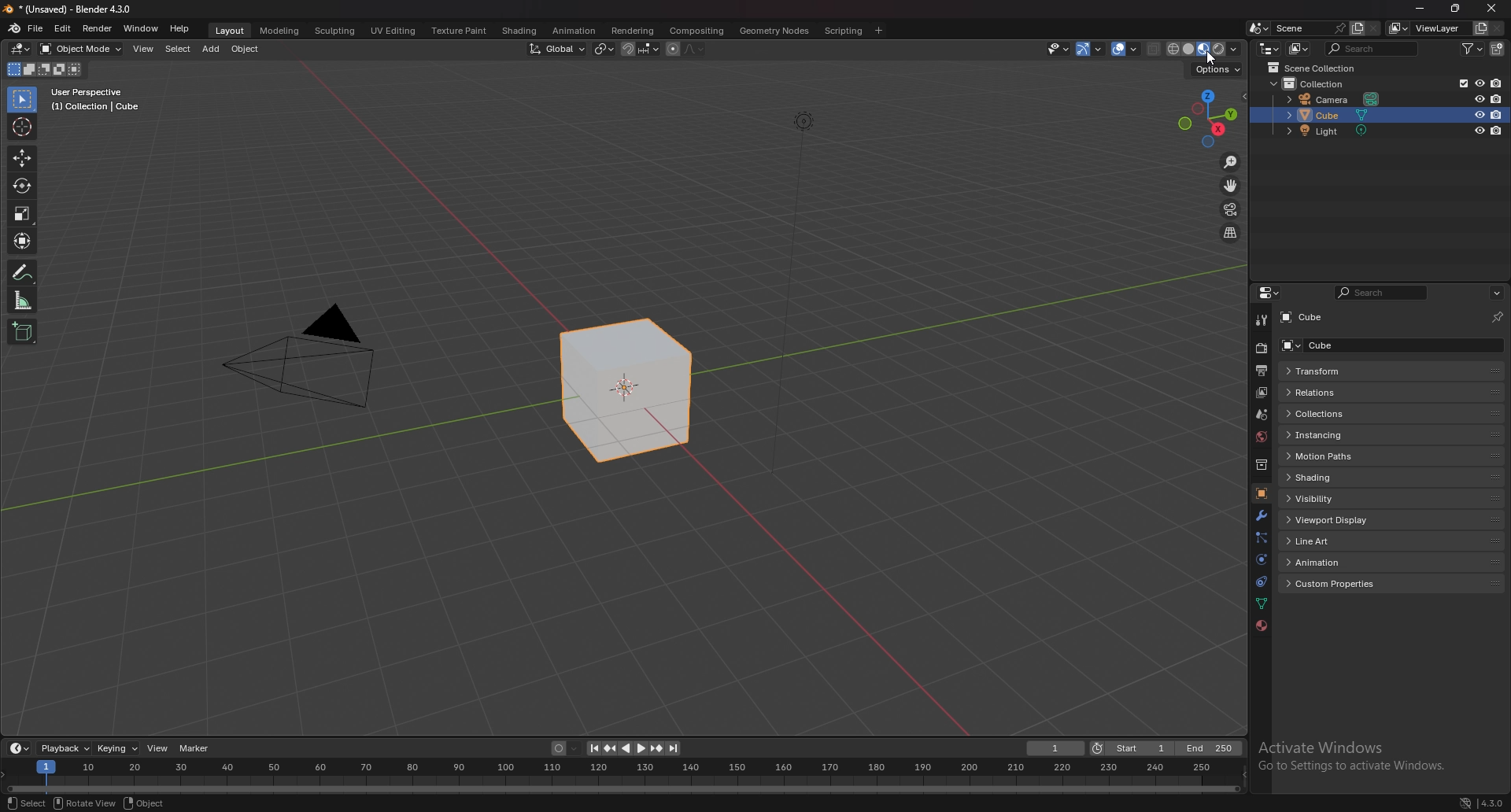 The width and height of the screenshot is (1511, 812). Describe the element at coordinates (1363, 371) in the screenshot. I see `transform` at that location.